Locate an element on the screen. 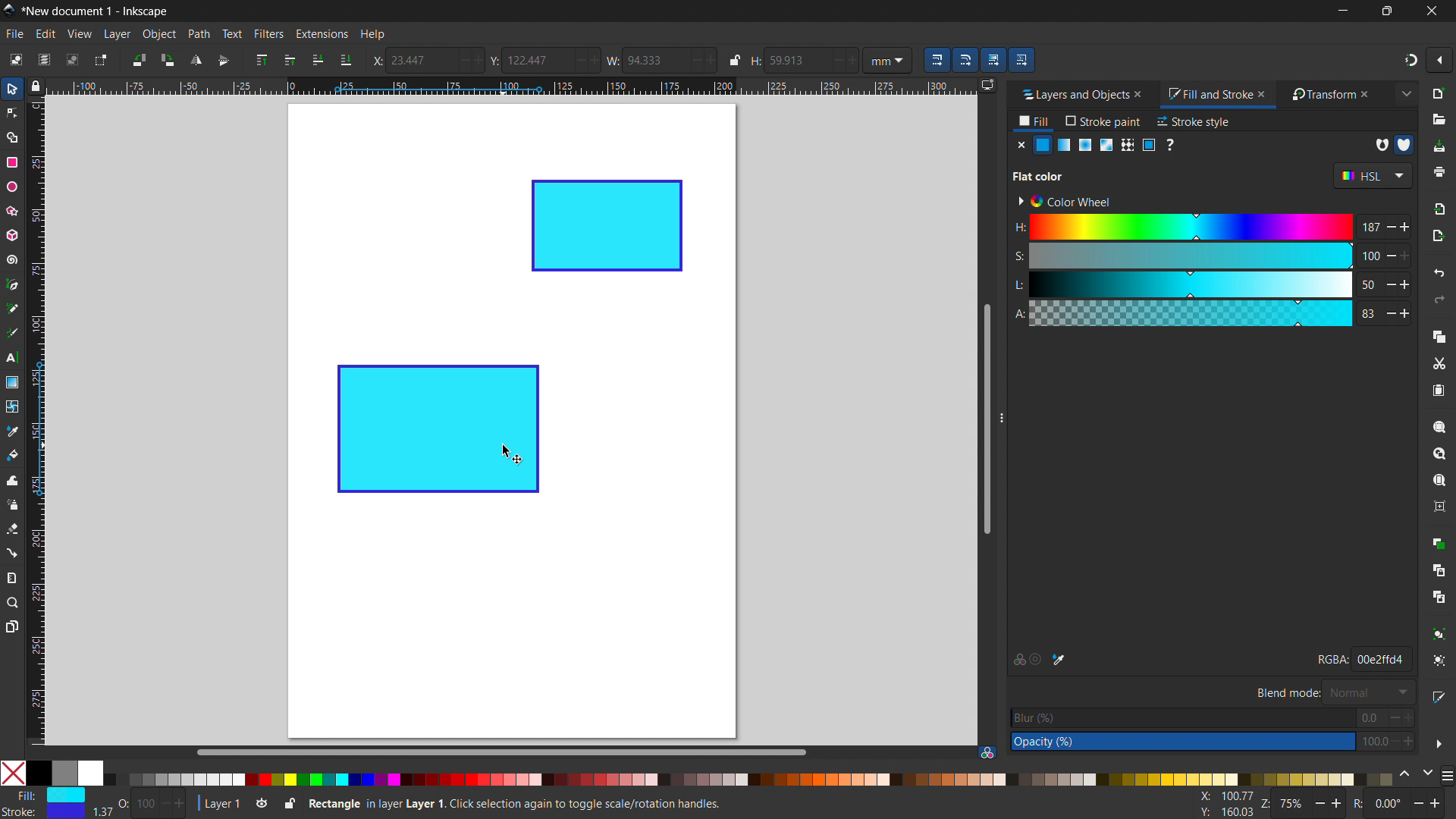 This screenshot has height=819, width=1456. zoom drawing is located at coordinates (1439, 453).